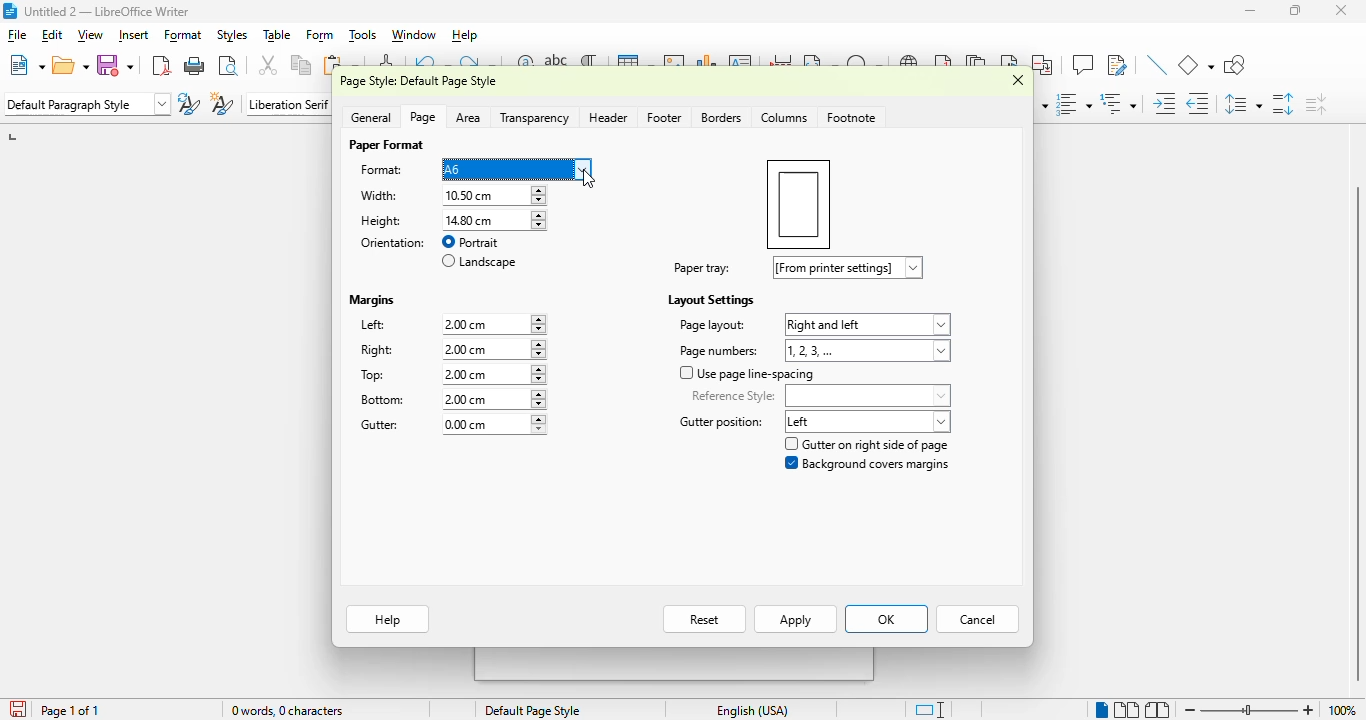  I want to click on tools, so click(363, 34).